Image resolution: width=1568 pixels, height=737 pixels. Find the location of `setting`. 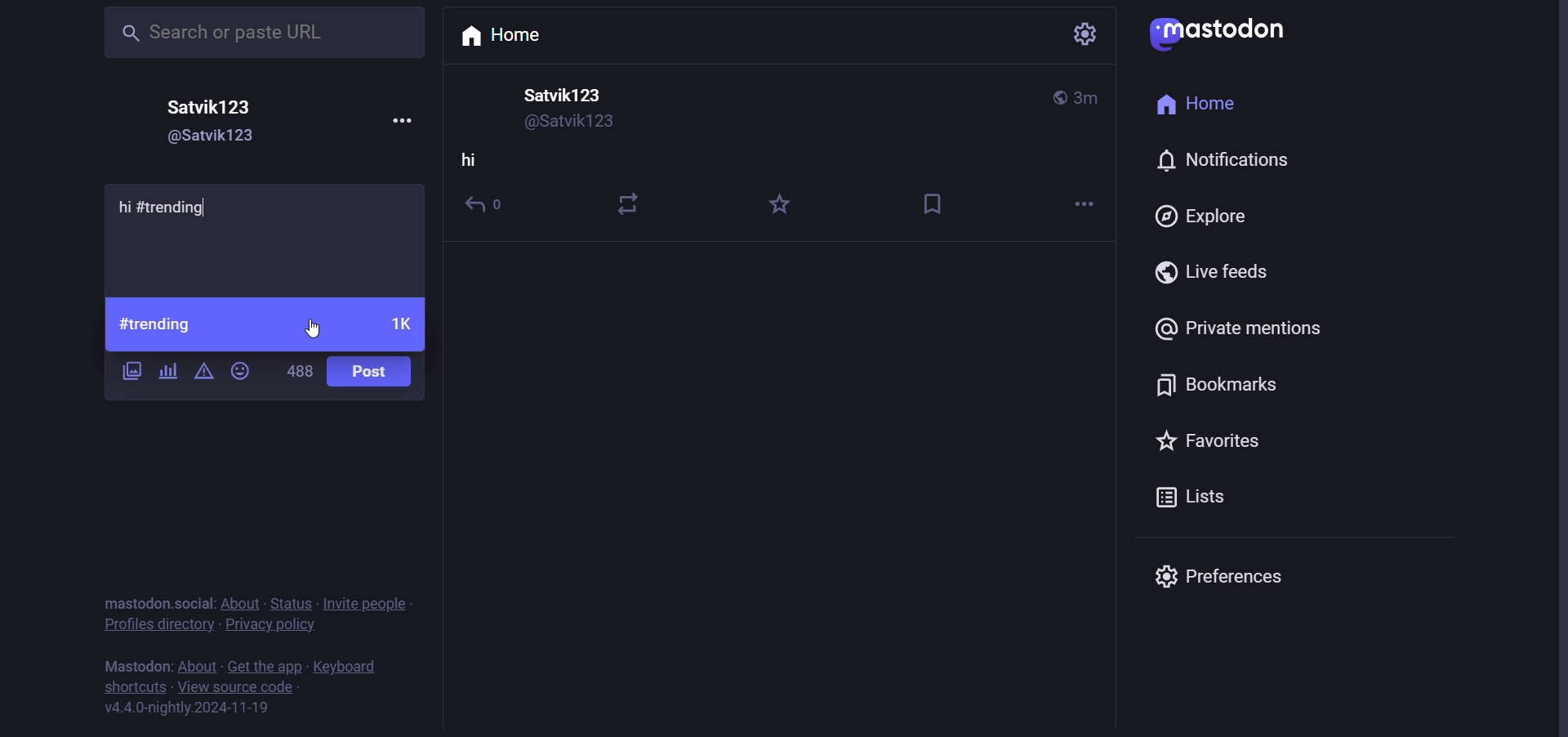

setting is located at coordinates (1081, 38).